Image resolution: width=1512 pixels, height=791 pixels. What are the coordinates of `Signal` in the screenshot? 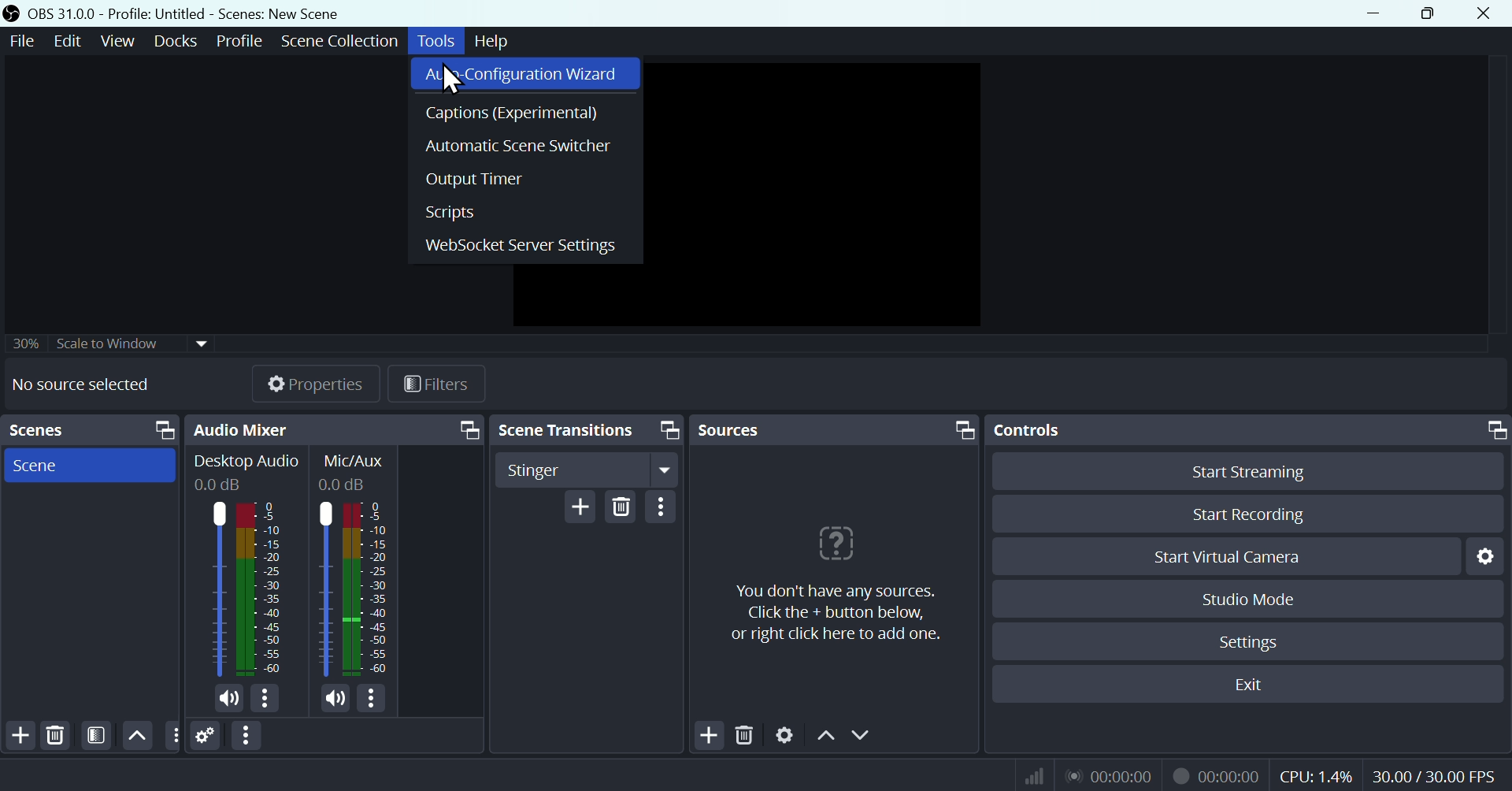 It's located at (1028, 775).